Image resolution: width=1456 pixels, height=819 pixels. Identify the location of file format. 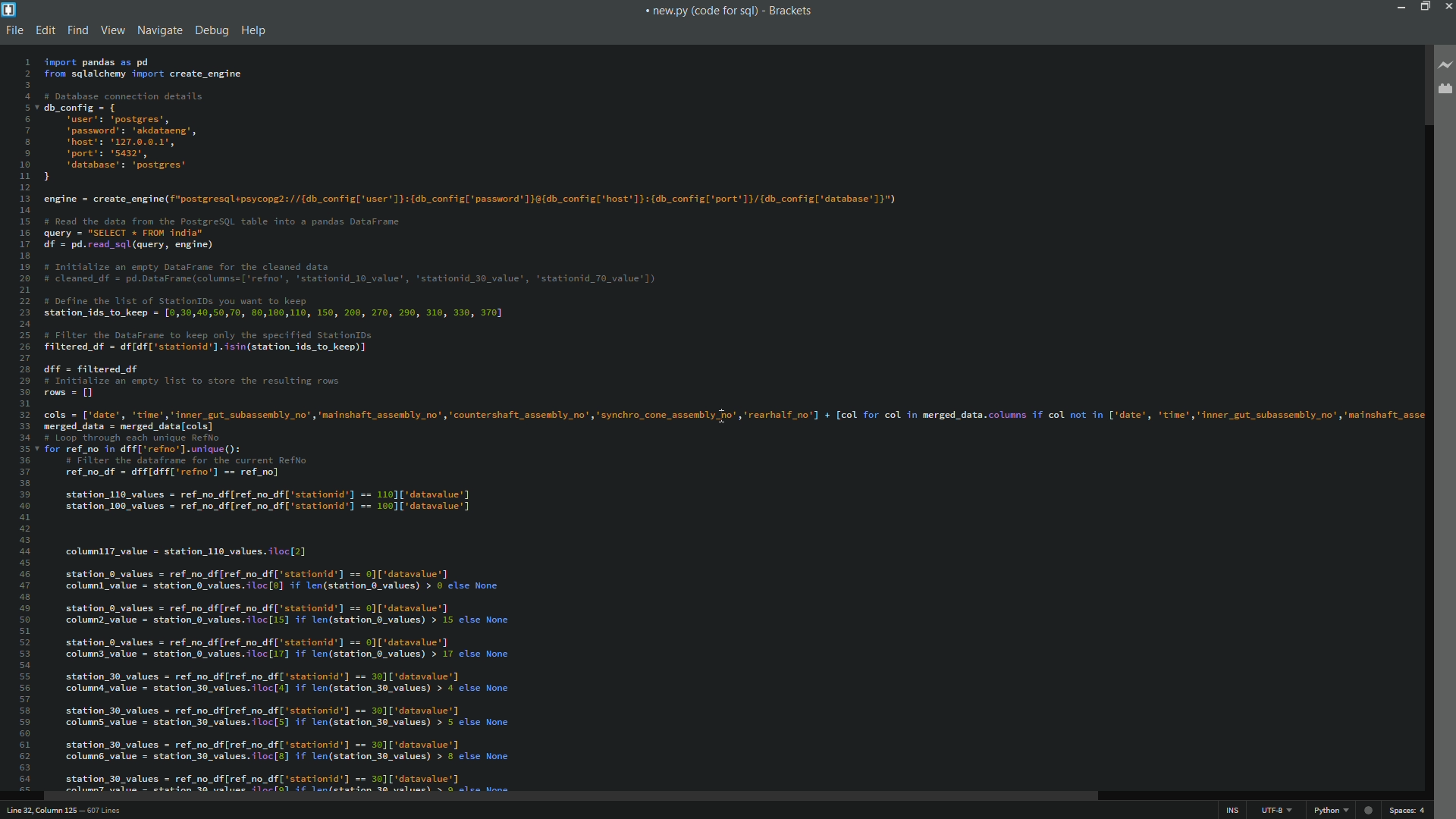
(1329, 811).